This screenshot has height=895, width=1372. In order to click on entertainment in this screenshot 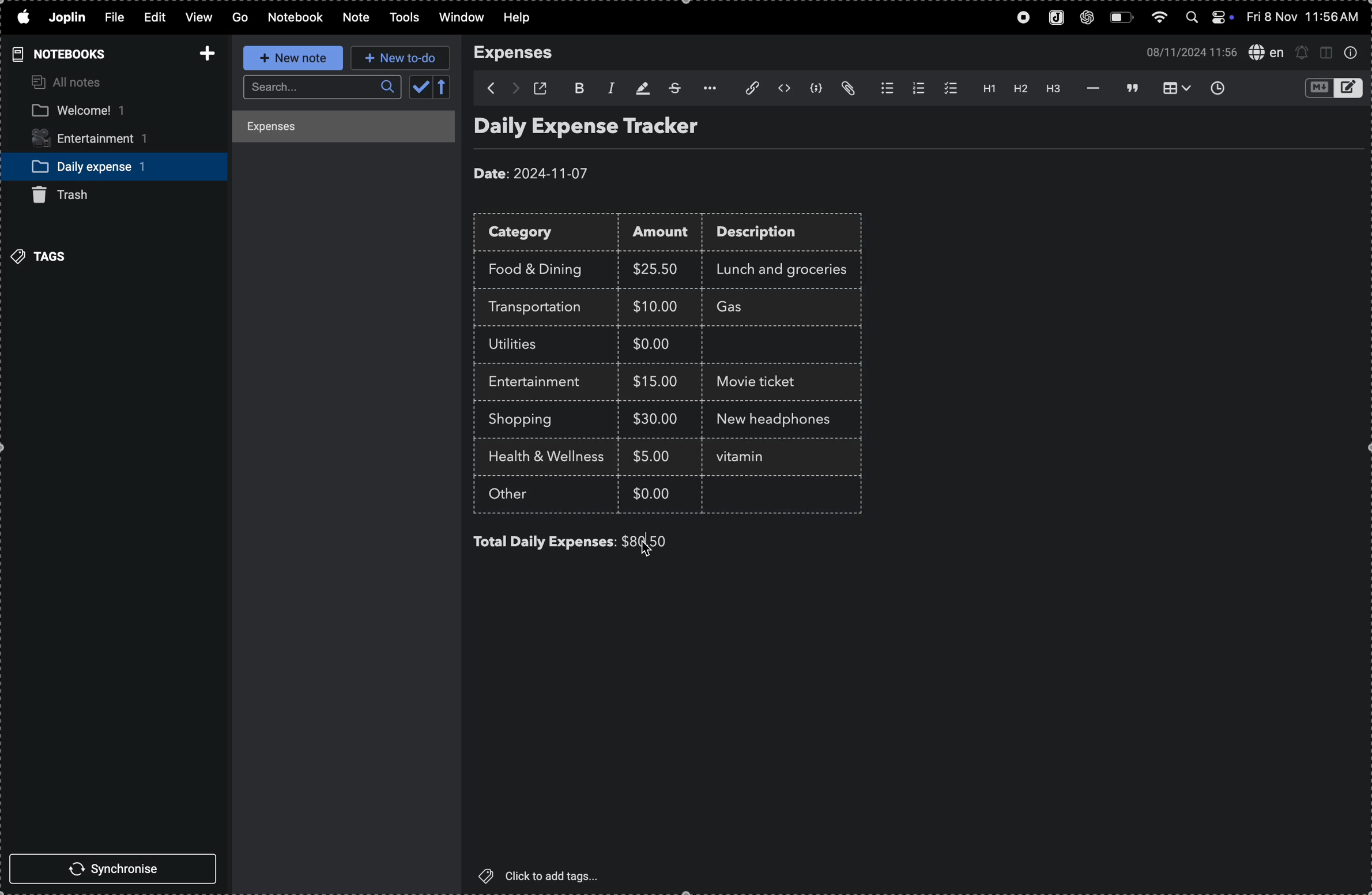, I will do `click(541, 382)`.